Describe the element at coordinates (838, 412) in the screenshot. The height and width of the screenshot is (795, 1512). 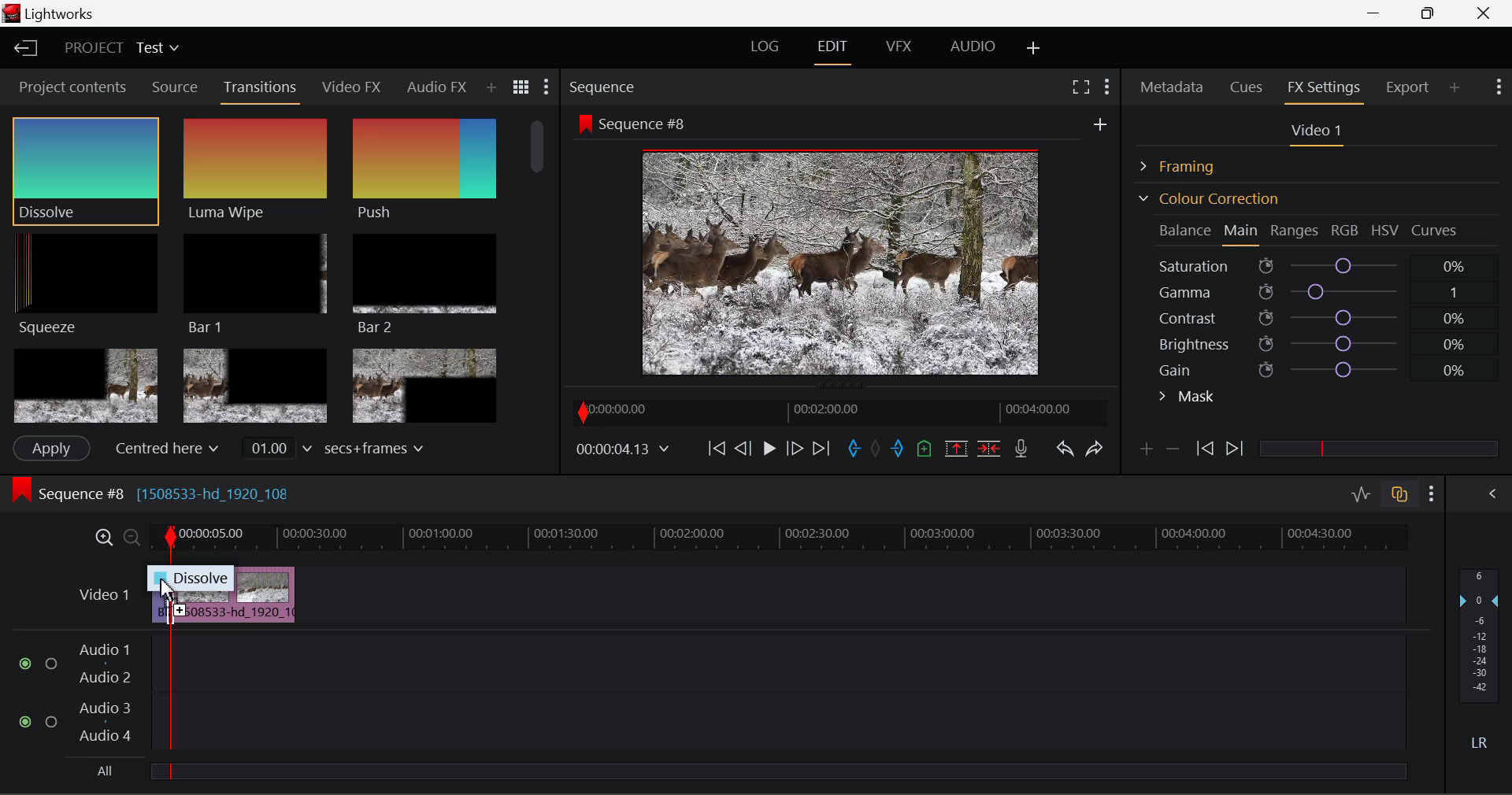
I see `Project Timeline Navigator` at that location.